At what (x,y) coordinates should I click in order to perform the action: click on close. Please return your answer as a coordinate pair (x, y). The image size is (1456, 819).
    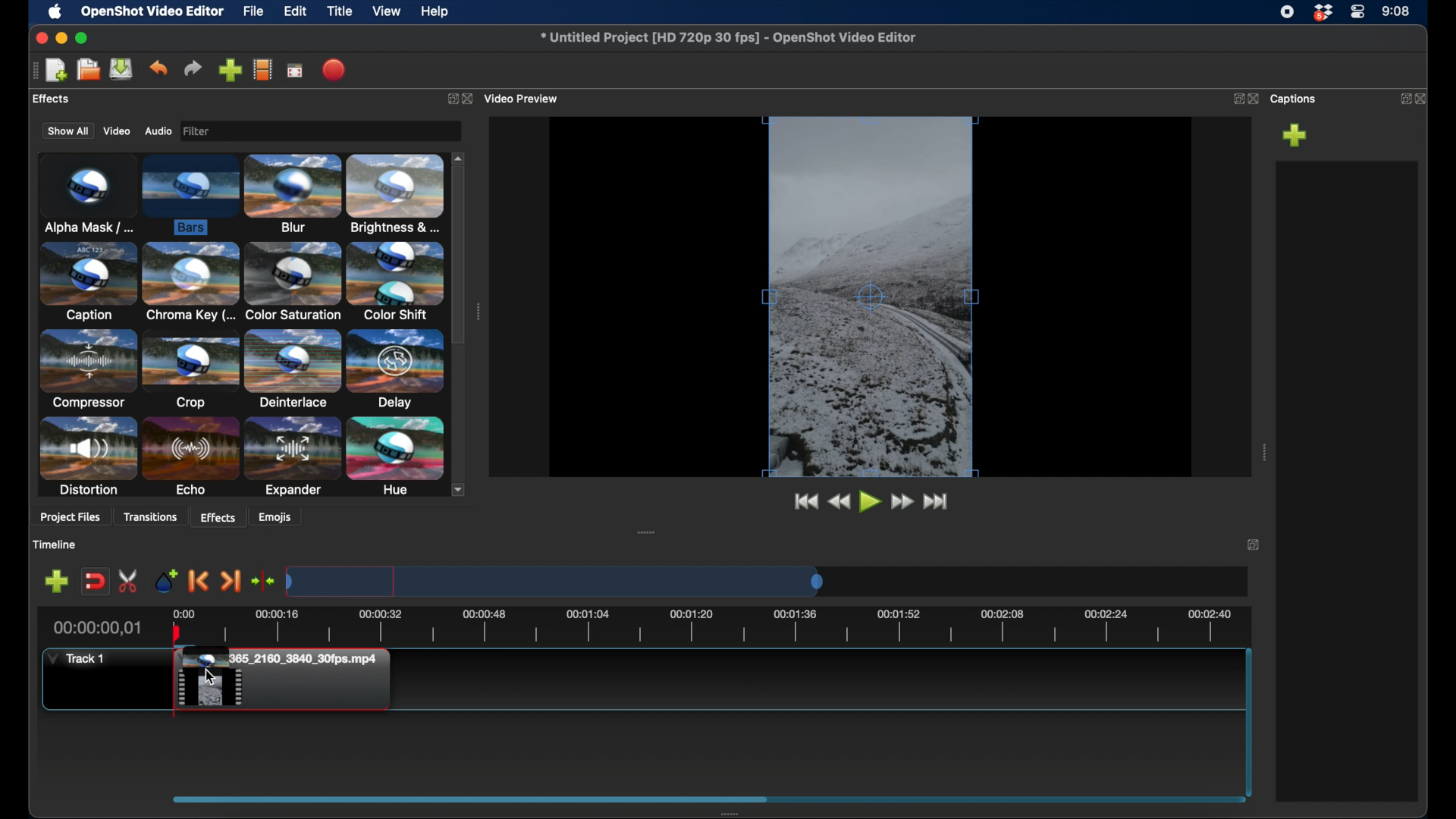
    Looking at the image, I should click on (1254, 99).